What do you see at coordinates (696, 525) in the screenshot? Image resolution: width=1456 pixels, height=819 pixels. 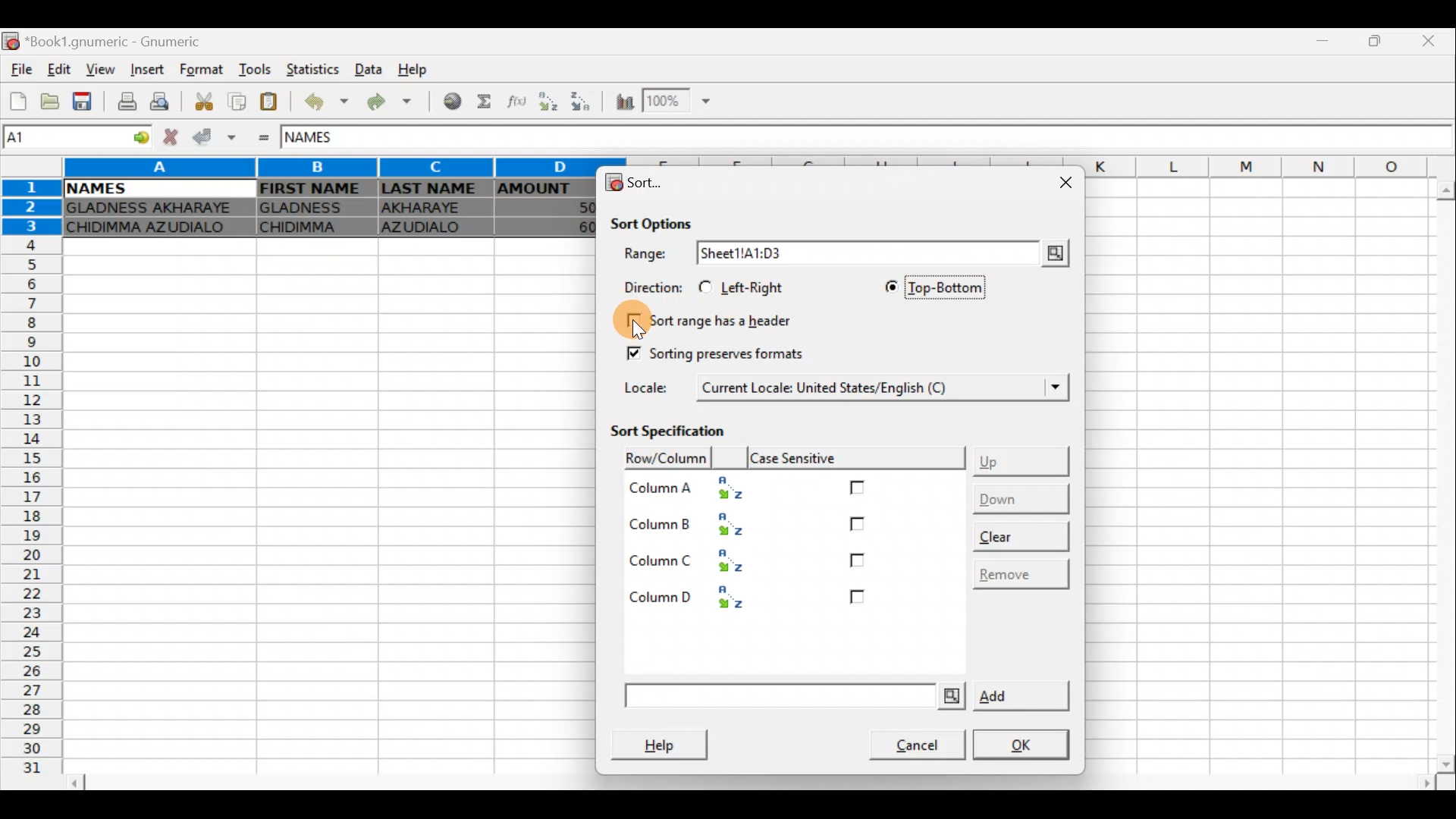 I see `Column B` at bounding box center [696, 525].